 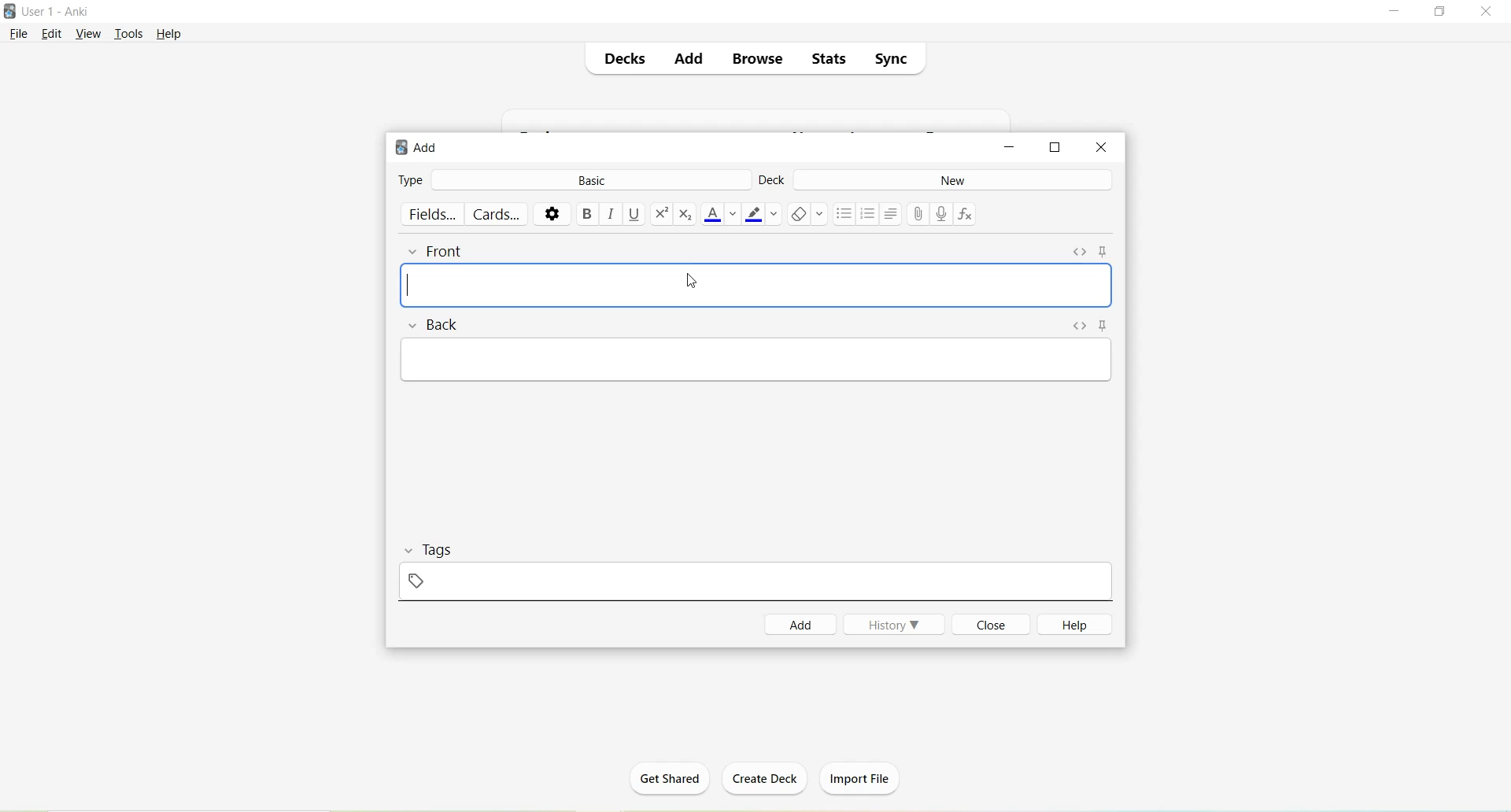 What do you see at coordinates (843, 214) in the screenshot?
I see `Unordered list` at bounding box center [843, 214].